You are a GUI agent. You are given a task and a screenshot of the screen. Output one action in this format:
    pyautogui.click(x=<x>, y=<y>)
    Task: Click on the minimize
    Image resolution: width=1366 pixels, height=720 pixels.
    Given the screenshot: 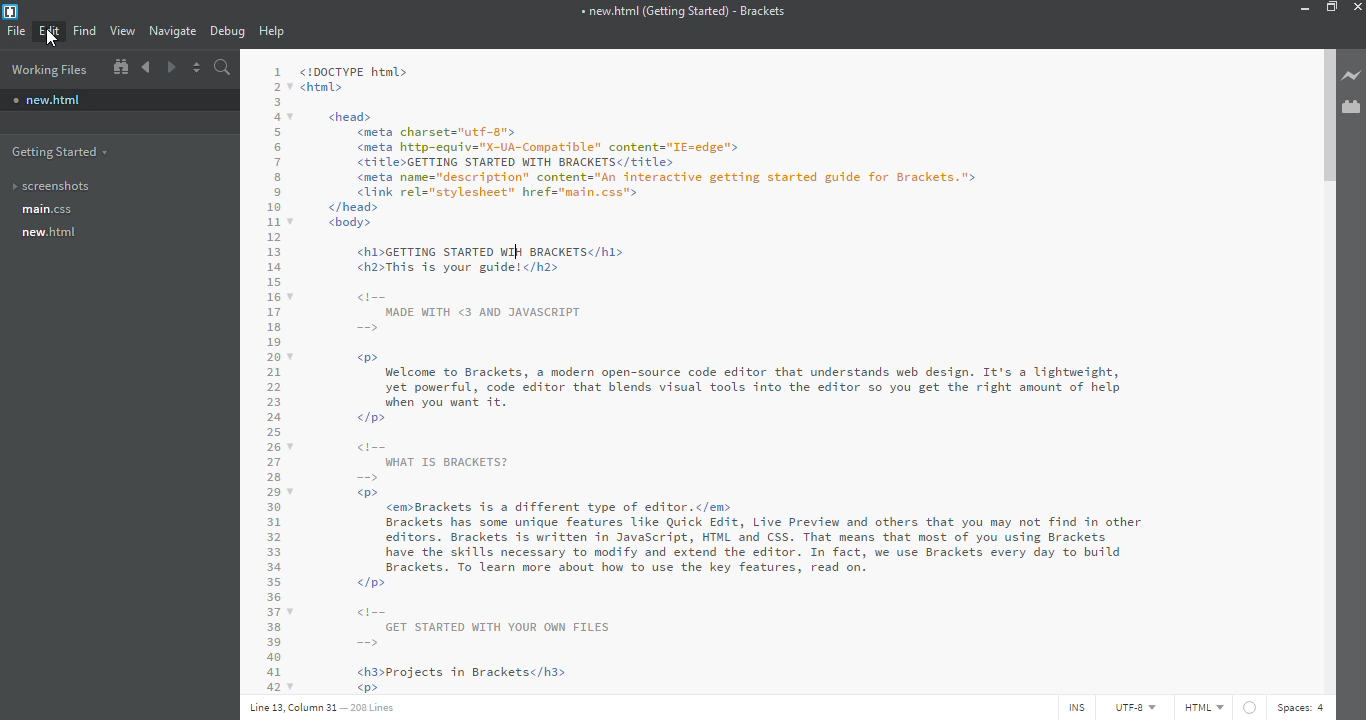 What is the action you would take?
    pyautogui.click(x=1301, y=7)
    